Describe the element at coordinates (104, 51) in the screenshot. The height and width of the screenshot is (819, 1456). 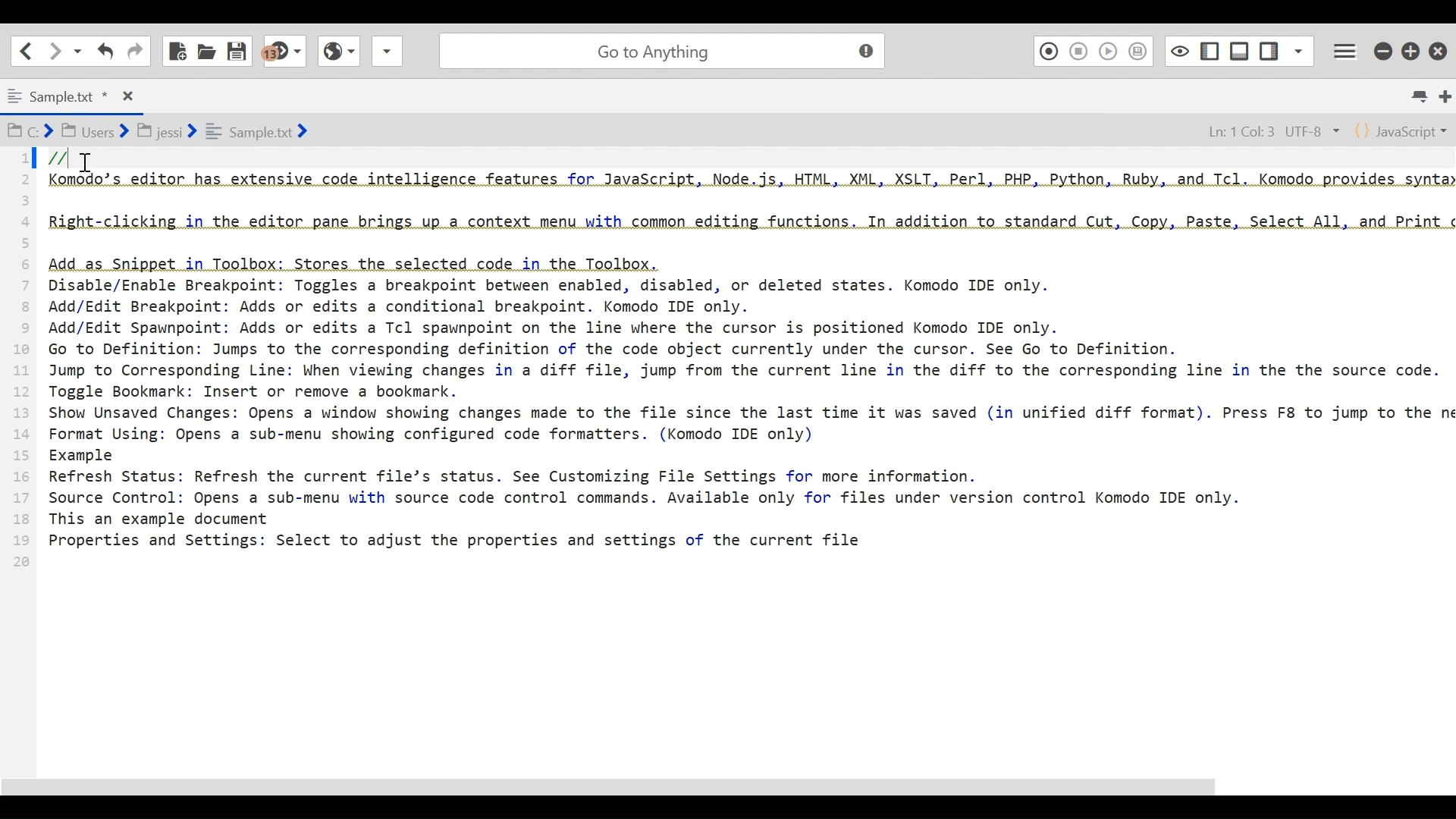
I see `Undo` at that location.